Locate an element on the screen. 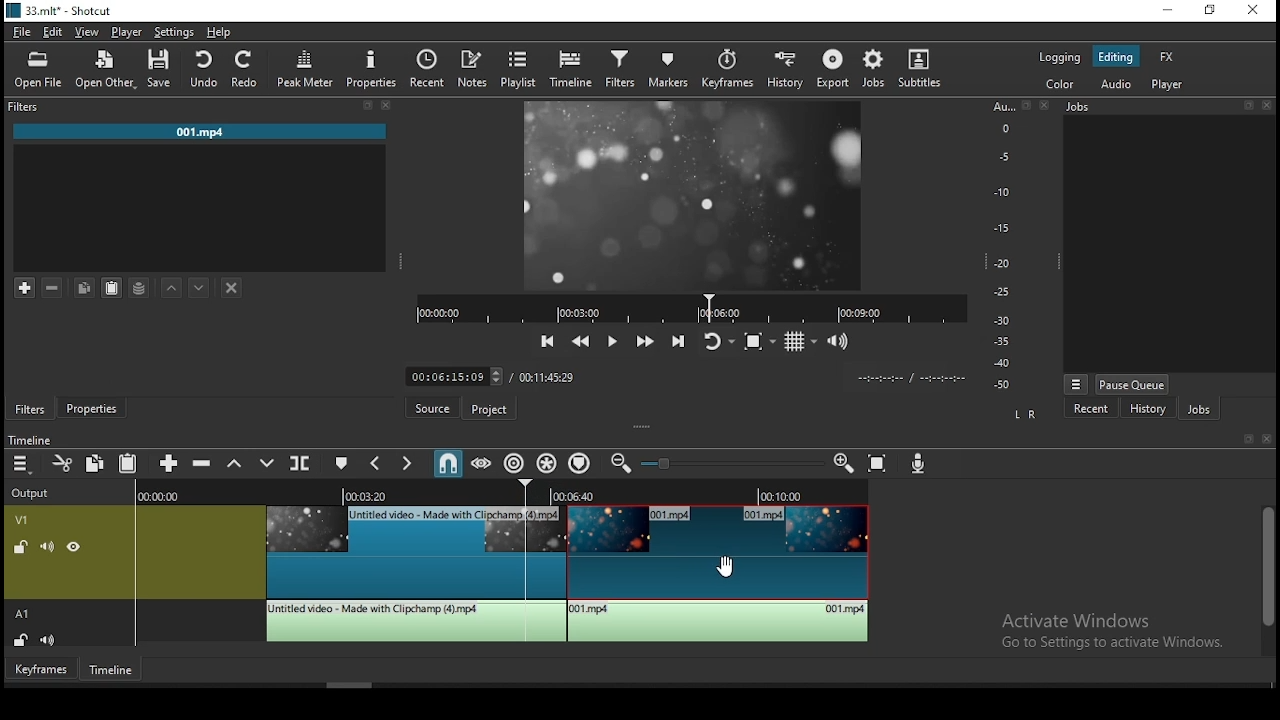 This screenshot has height=720, width=1280. 001.mp4 is located at coordinates (203, 132).